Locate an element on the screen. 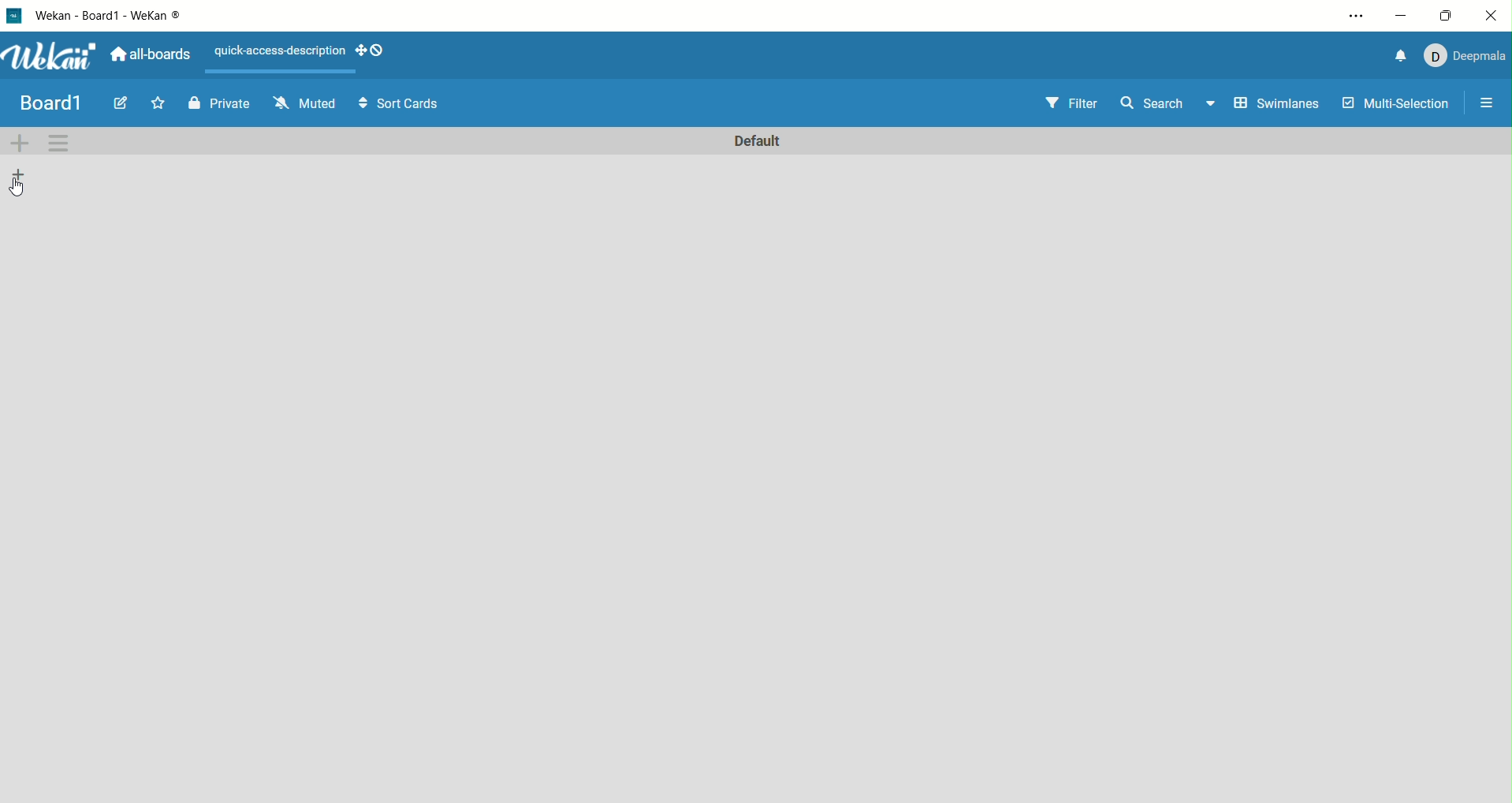  sort cards is located at coordinates (400, 103).